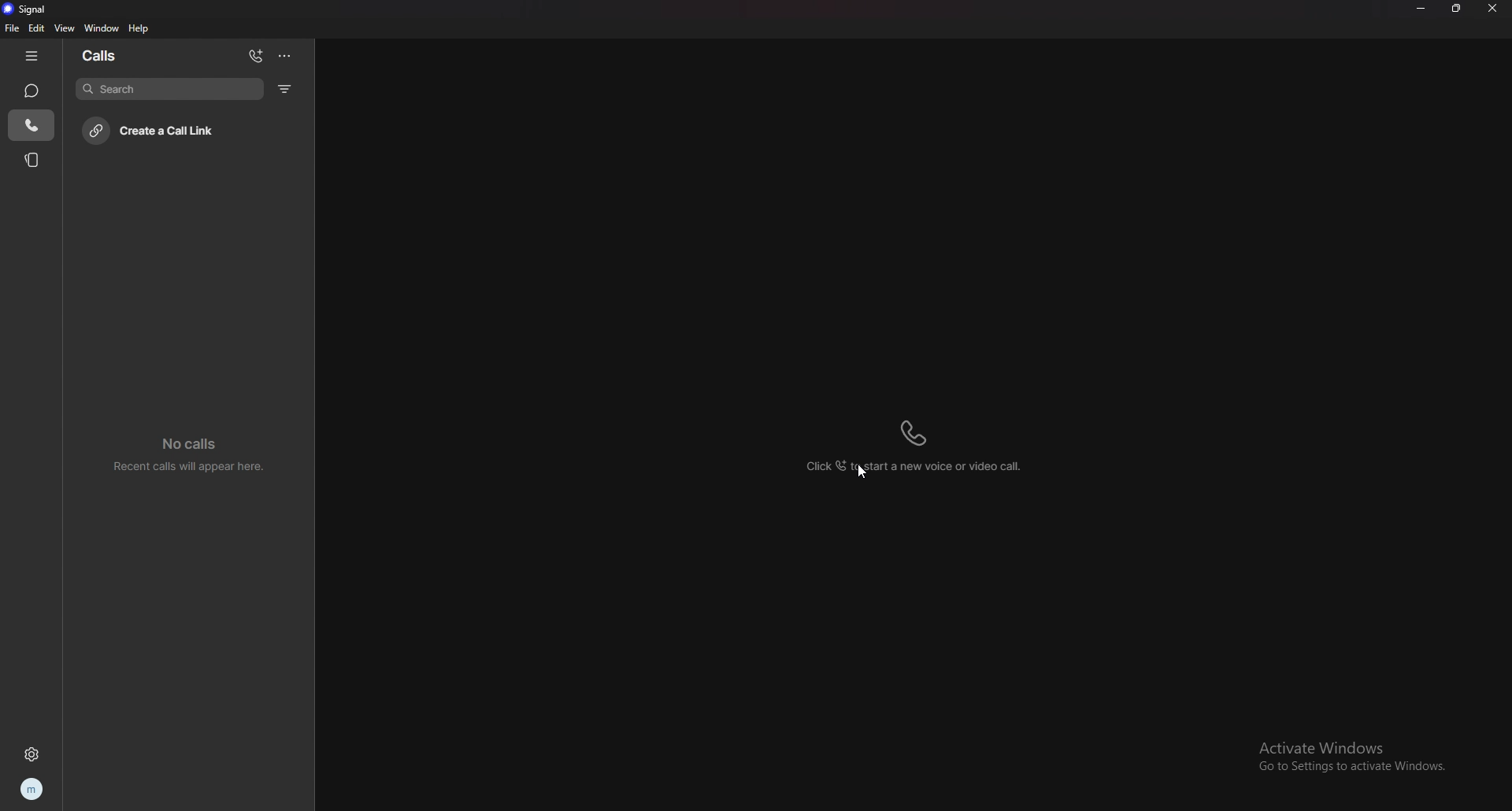 This screenshot has width=1512, height=811. What do you see at coordinates (31, 755) in the screenshot?
I see `settings` at bounding box center [31, 755].